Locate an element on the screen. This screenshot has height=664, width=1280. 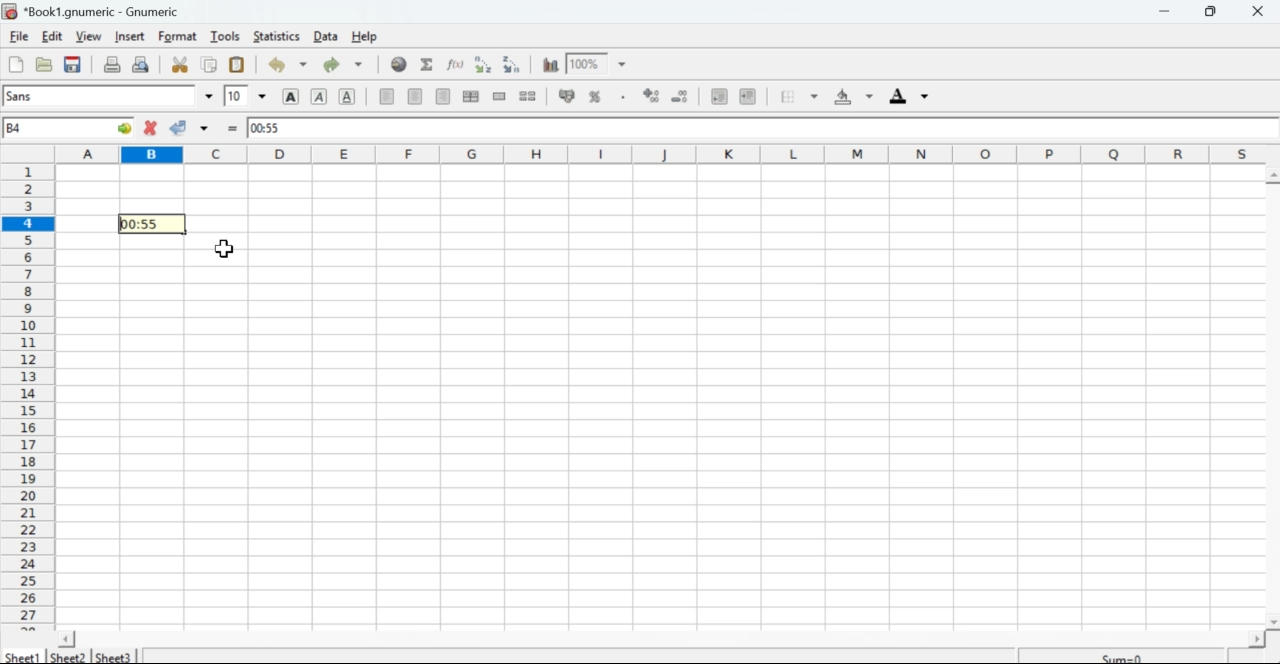
down is located at coordinates (208, 127).